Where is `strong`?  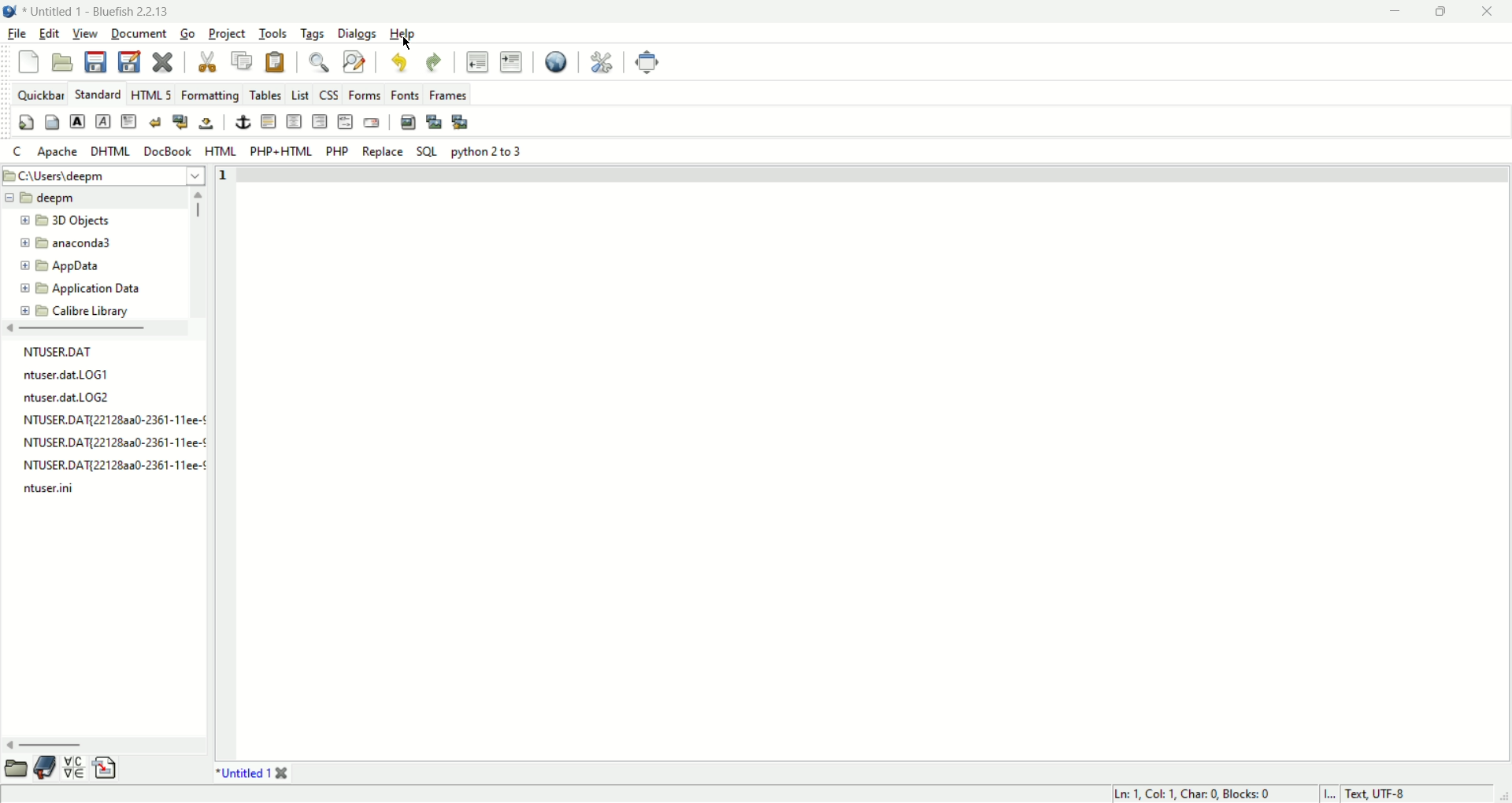
strong is located at coordinates (77, 121).